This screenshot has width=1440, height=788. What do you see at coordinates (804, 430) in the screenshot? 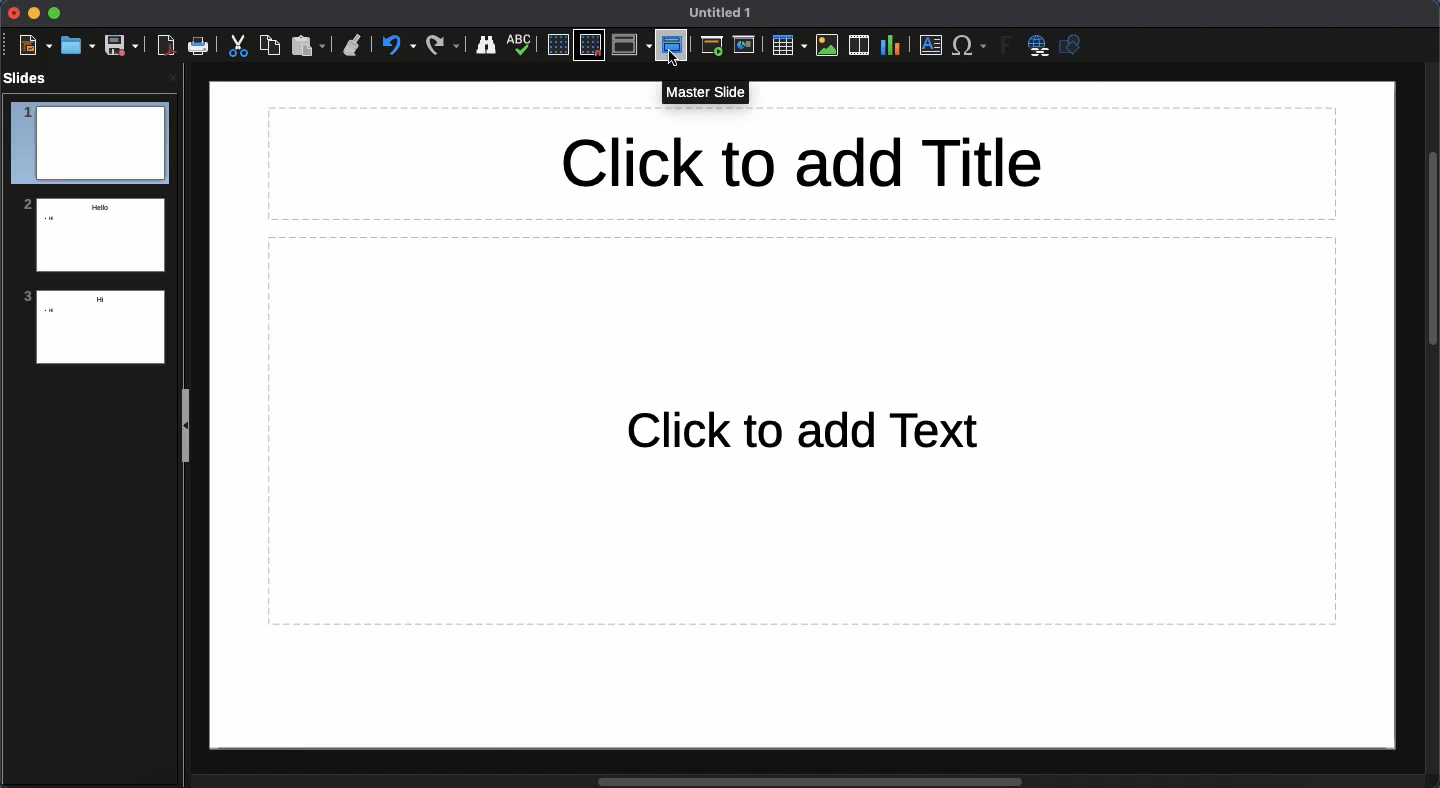
I see `Text` at bounding box center [804, 430].